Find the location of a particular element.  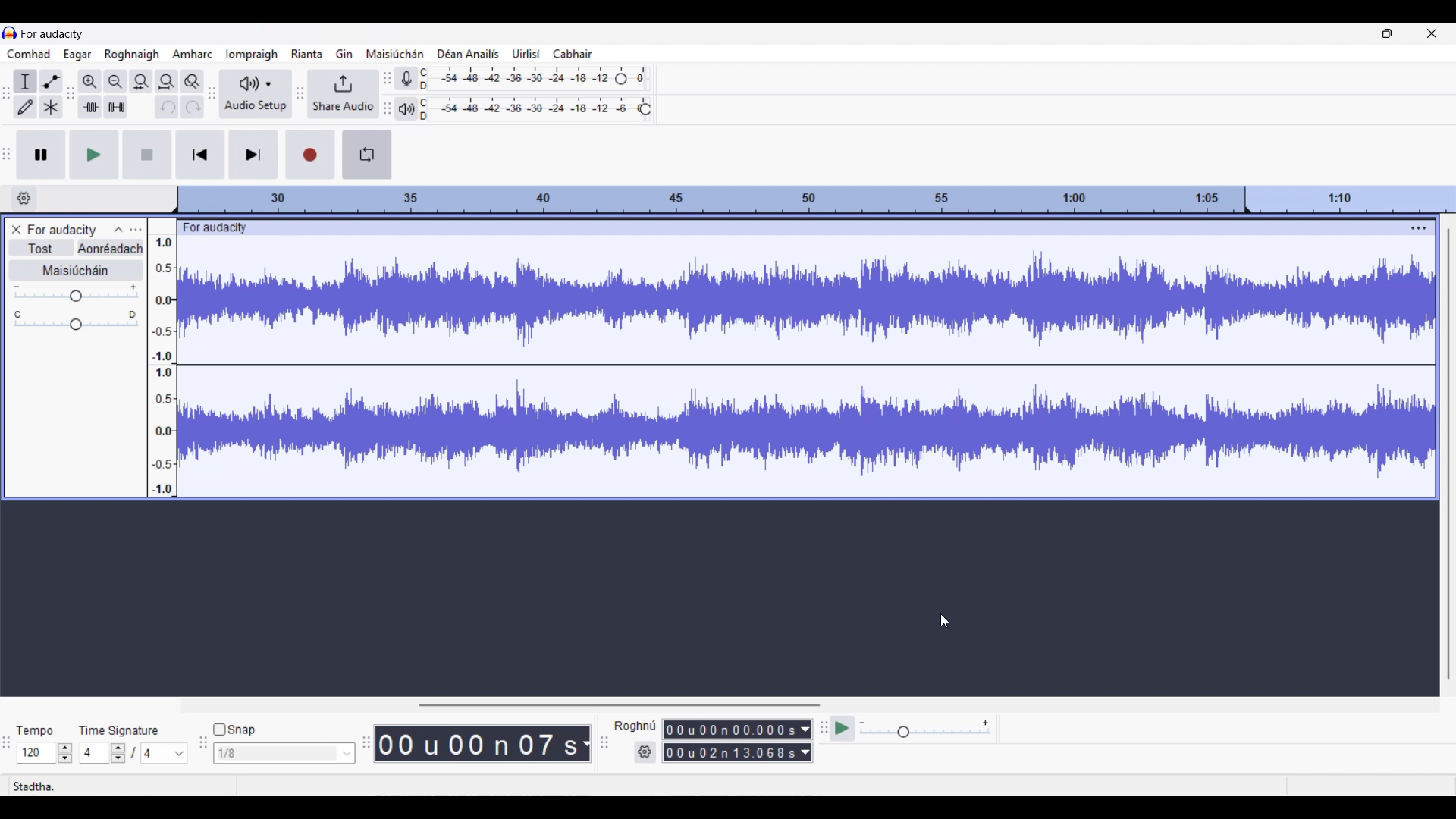

Amharc is located at coordinates (194, 54).